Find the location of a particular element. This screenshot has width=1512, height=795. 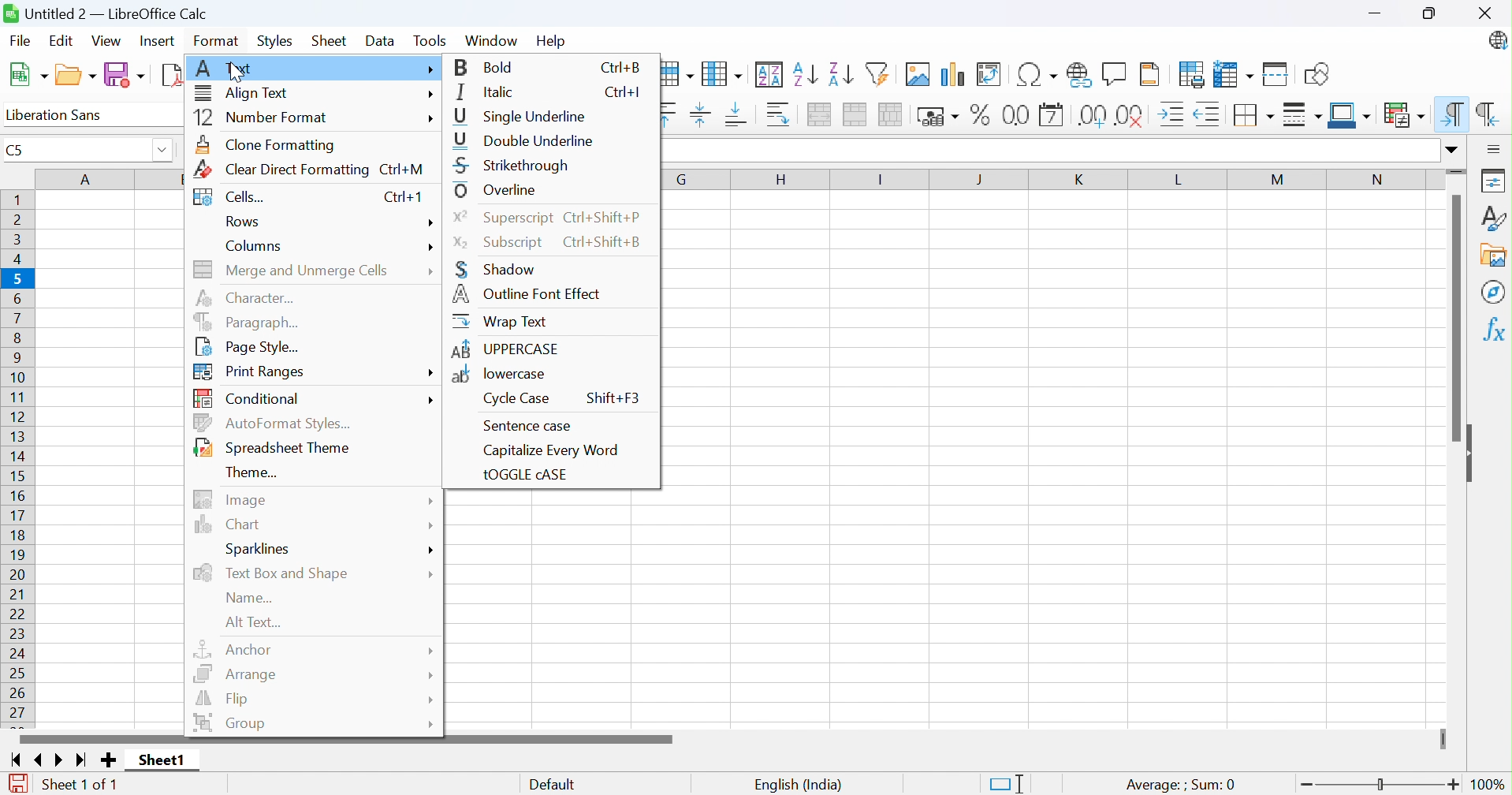

Headers and footers is located at coordinates (1151, 74).